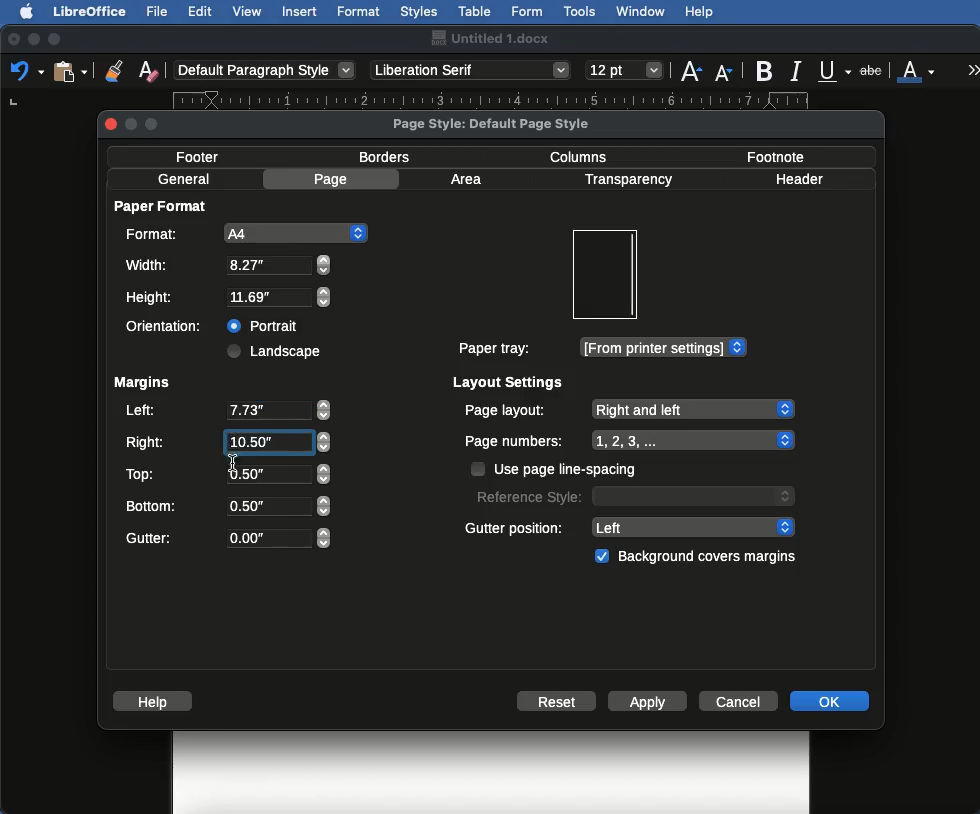 The height and width of the screenshot is (814, 980). I want to click on Footnote, so click(774, 156).